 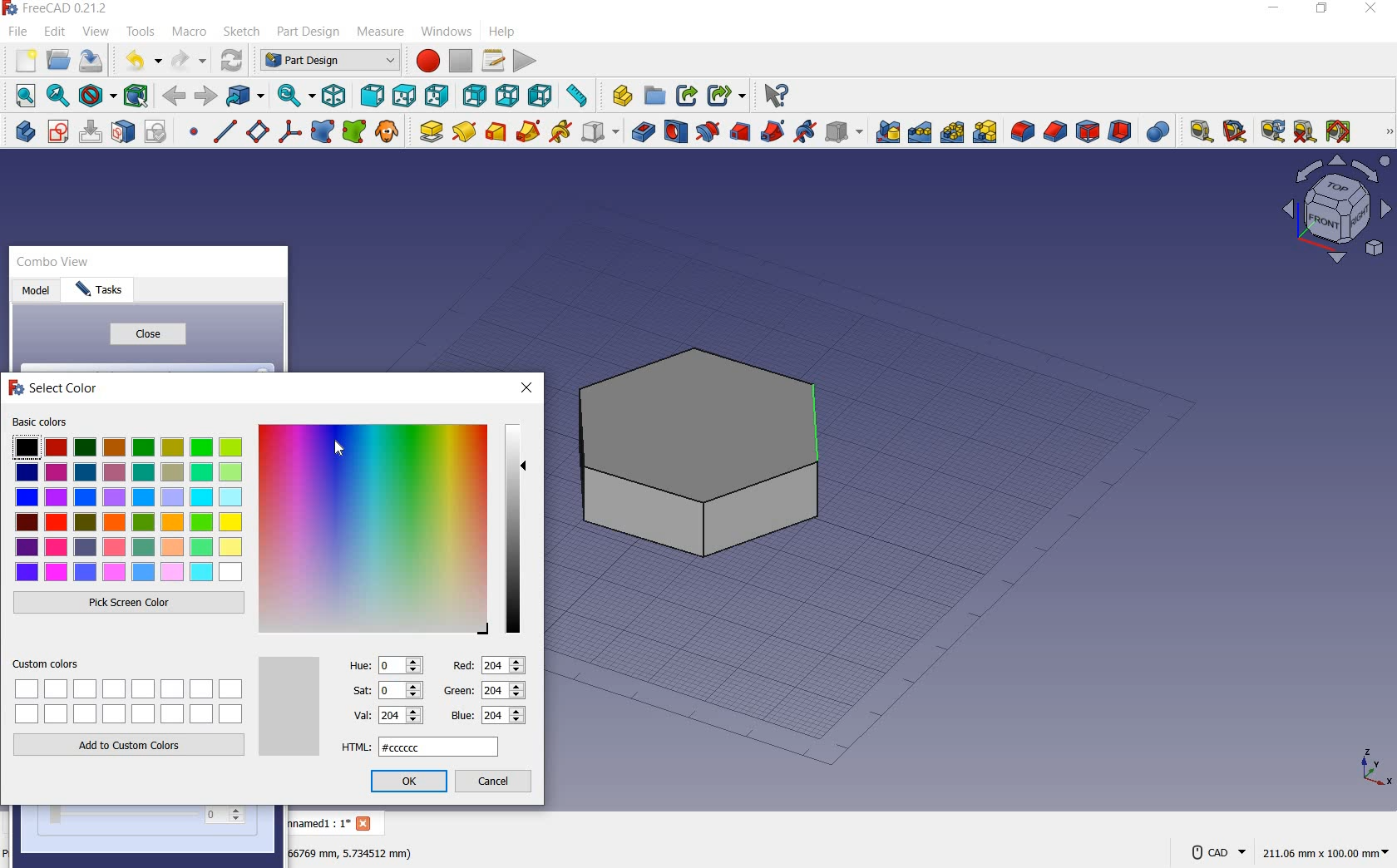 What do you see at coordinates (124, 132) in the screenshot?
I see `map sketch to face` at bounding box center [124, 132].